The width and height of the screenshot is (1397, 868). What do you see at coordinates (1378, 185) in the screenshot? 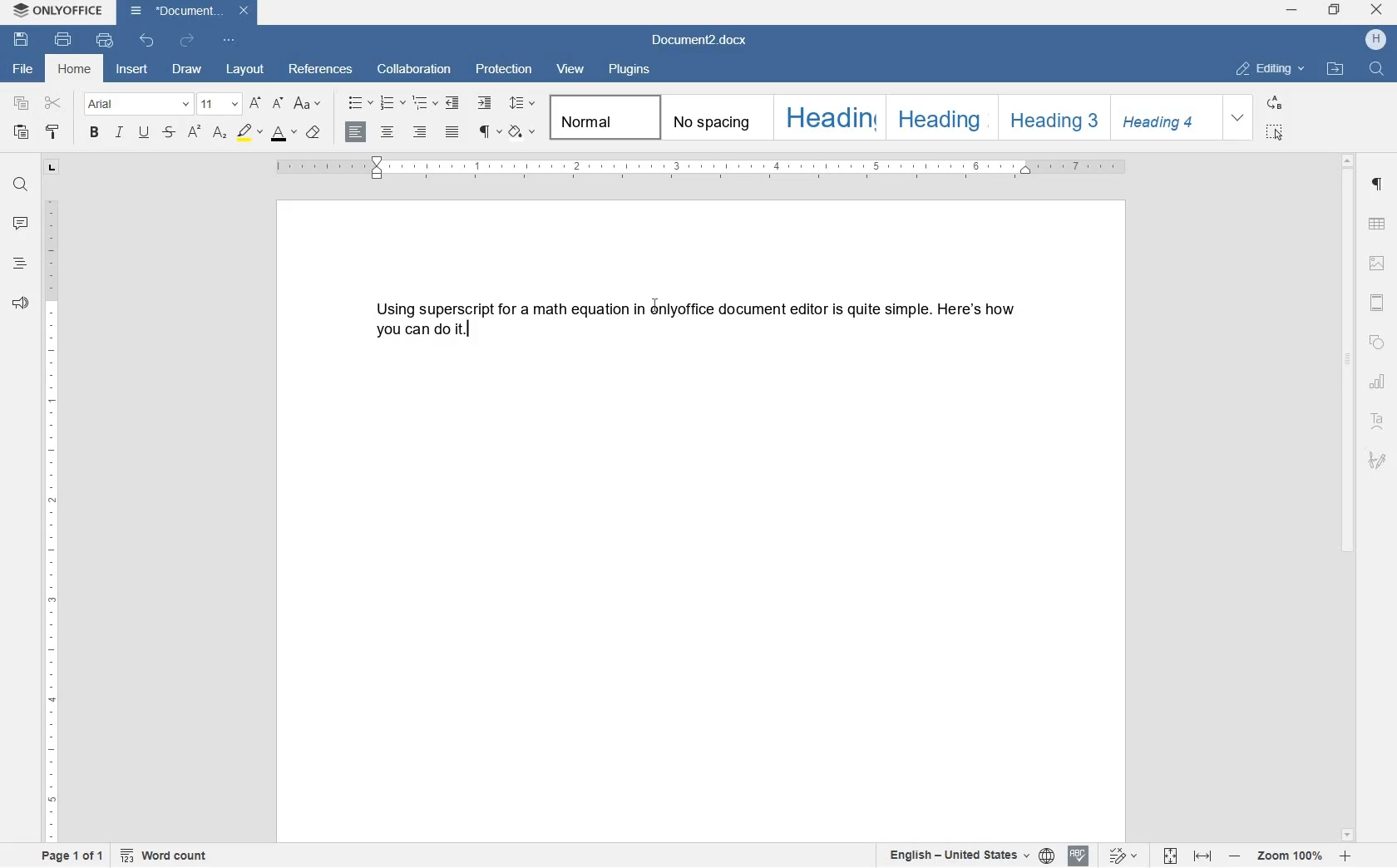
I see `paragraph settings` at bounding box center [1378, 185].